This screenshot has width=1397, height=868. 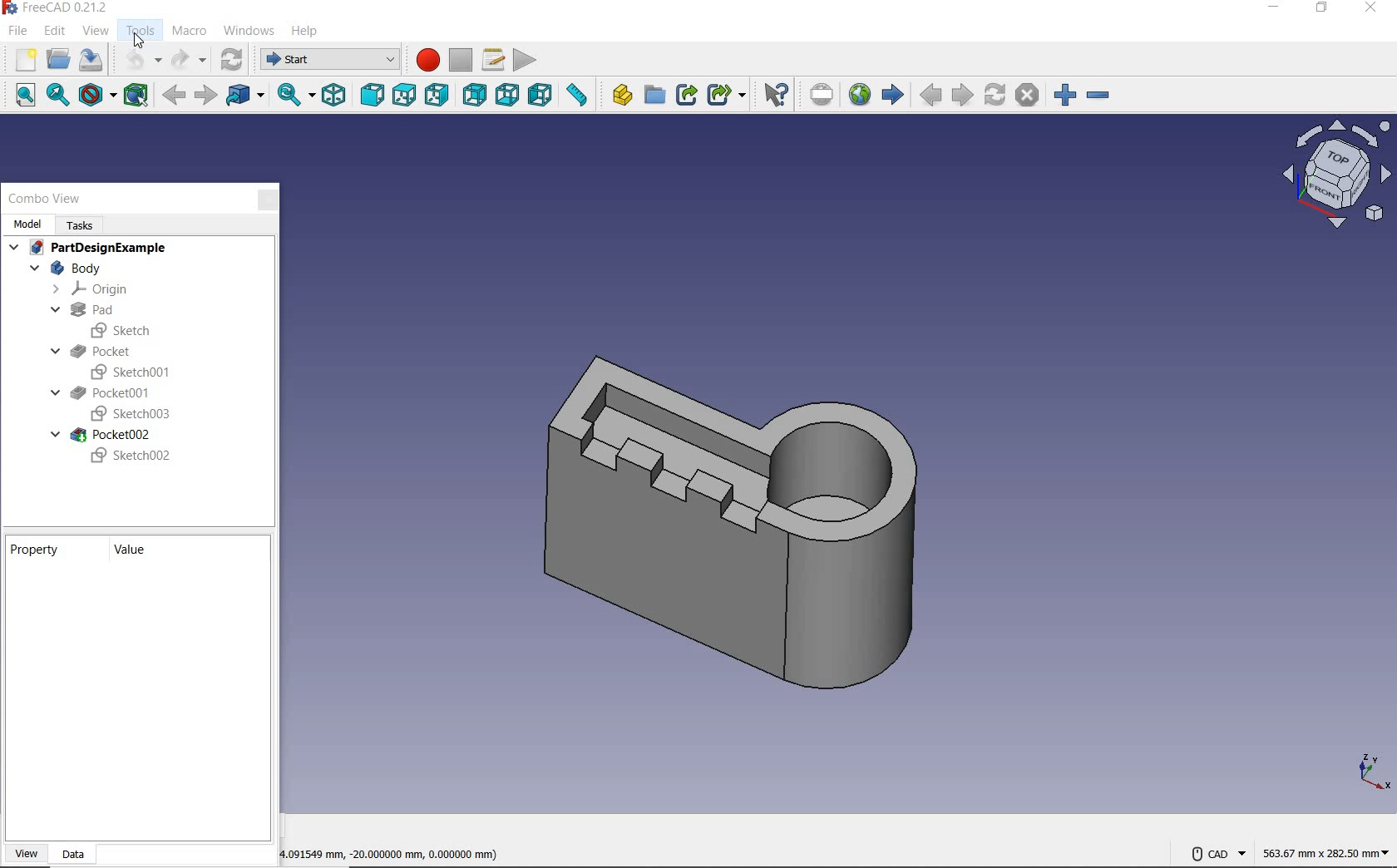 I want to click on Restore down, so click(x=1320, y=11).